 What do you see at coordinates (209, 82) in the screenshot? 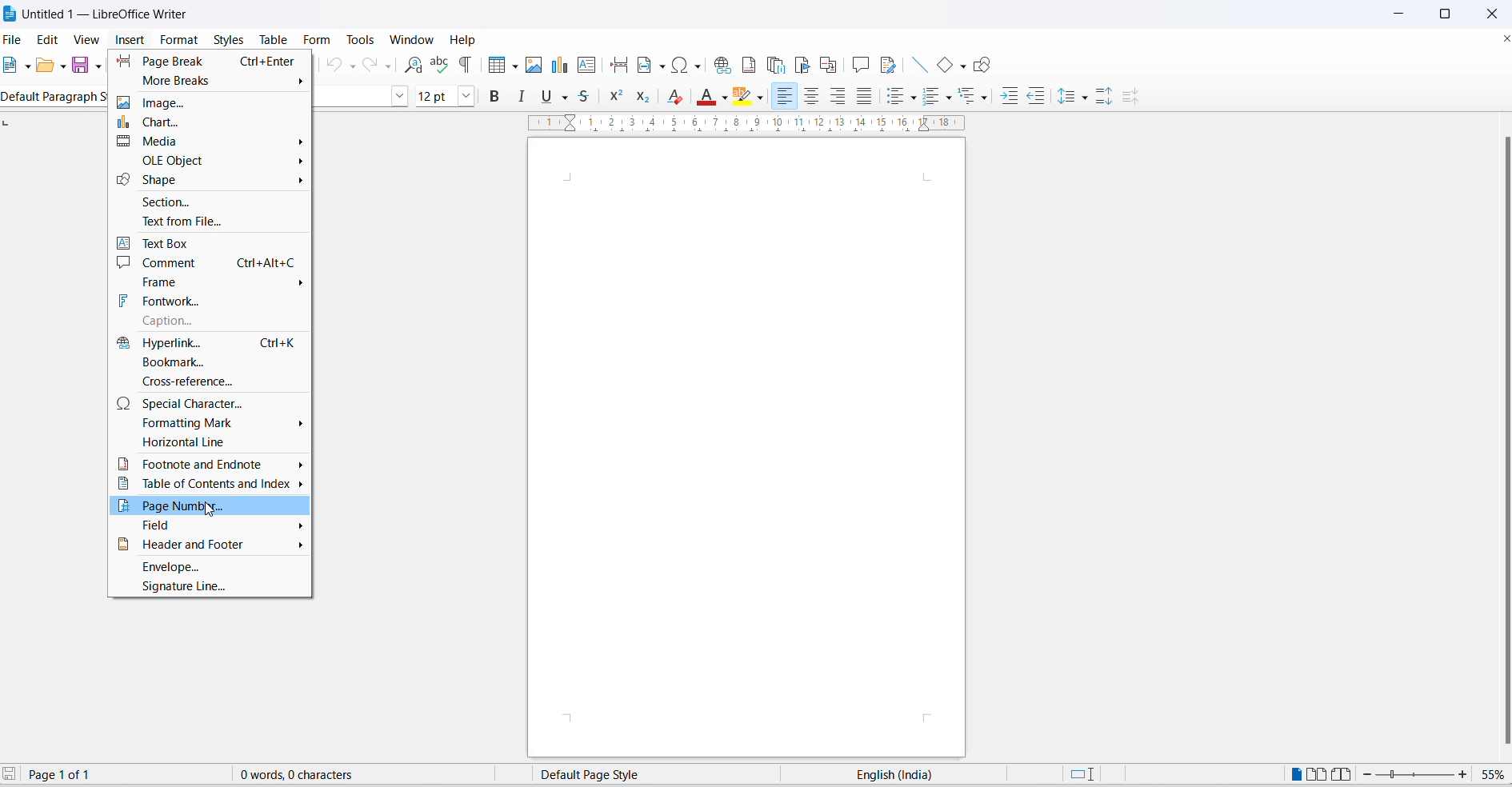
I see `more breaks` at bounding box center [209, 82].